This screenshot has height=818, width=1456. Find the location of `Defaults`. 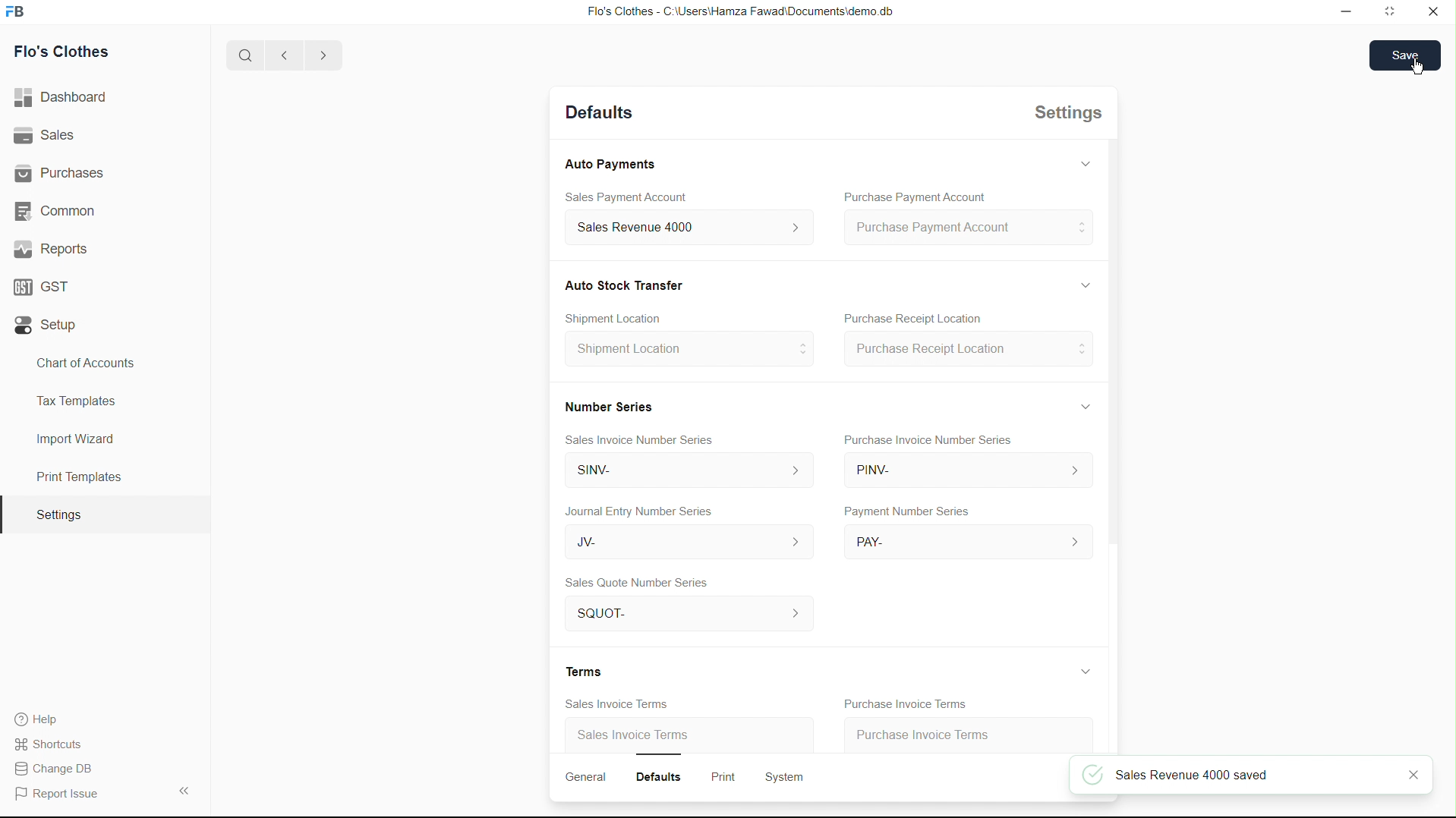

Defaults is located at coordinates (663, 777).